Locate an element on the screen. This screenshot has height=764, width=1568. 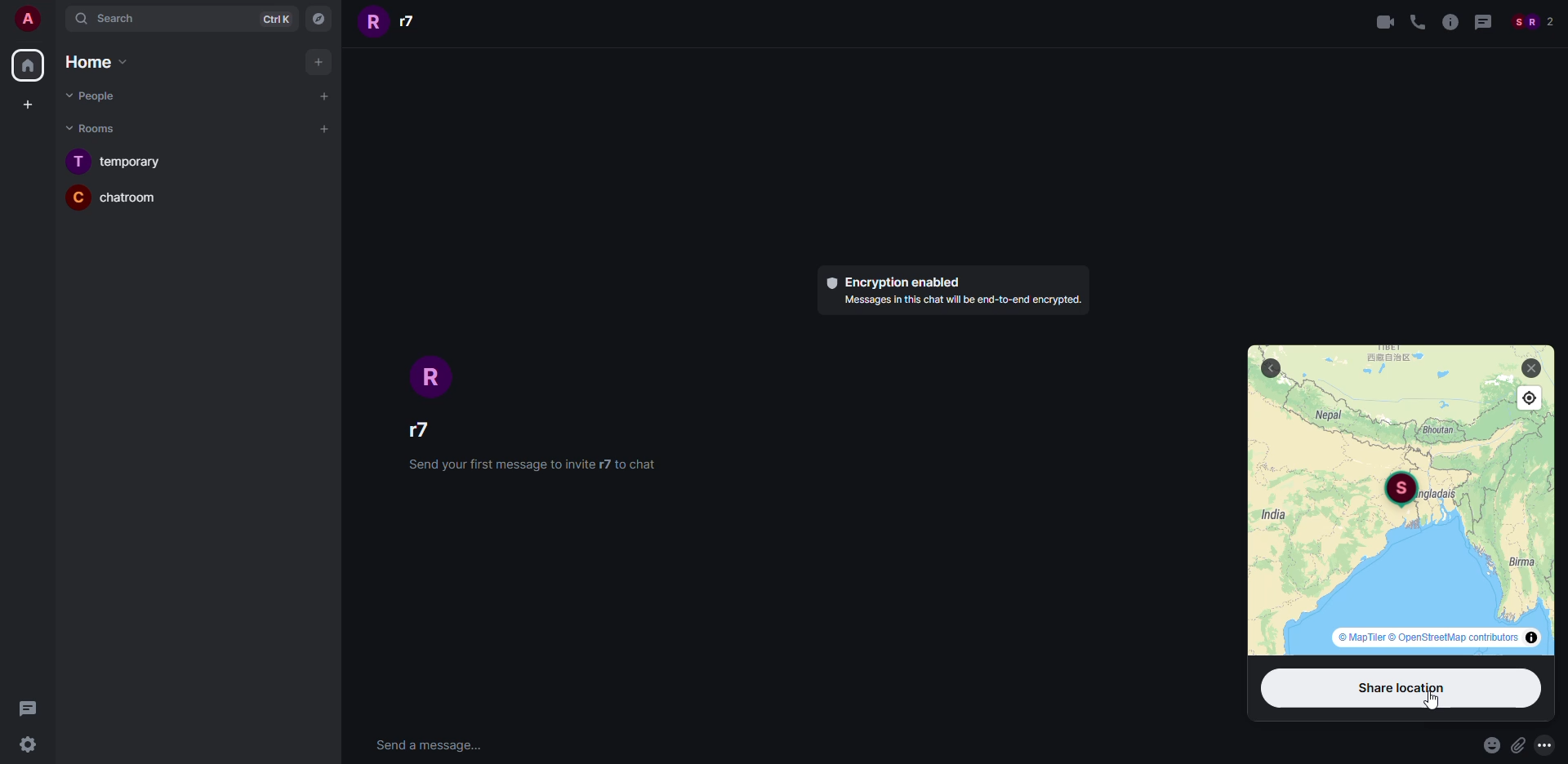
attachment is located at coordinates (1520, 745).